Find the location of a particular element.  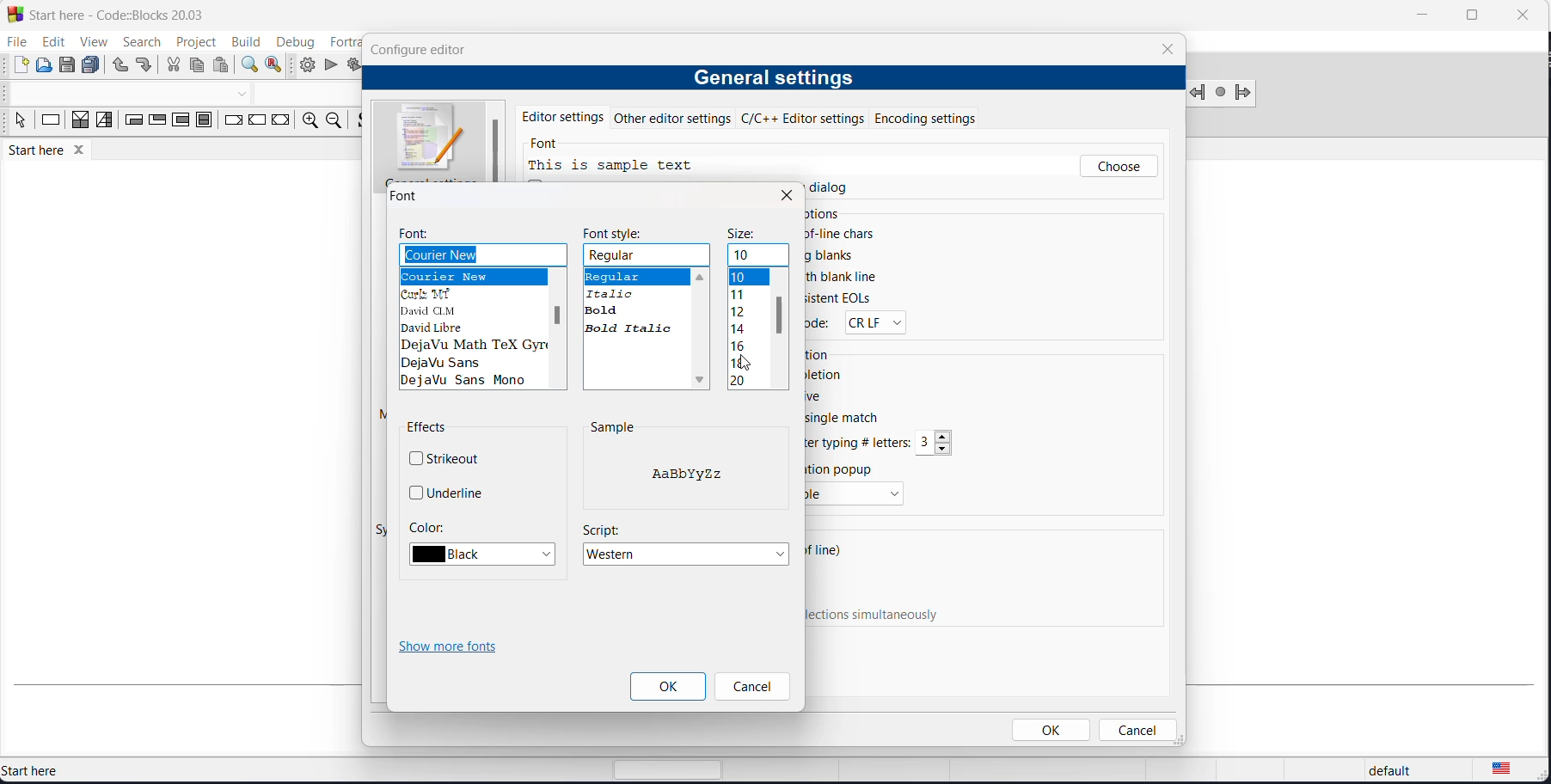

decrement is located at coordinates (945, 449).